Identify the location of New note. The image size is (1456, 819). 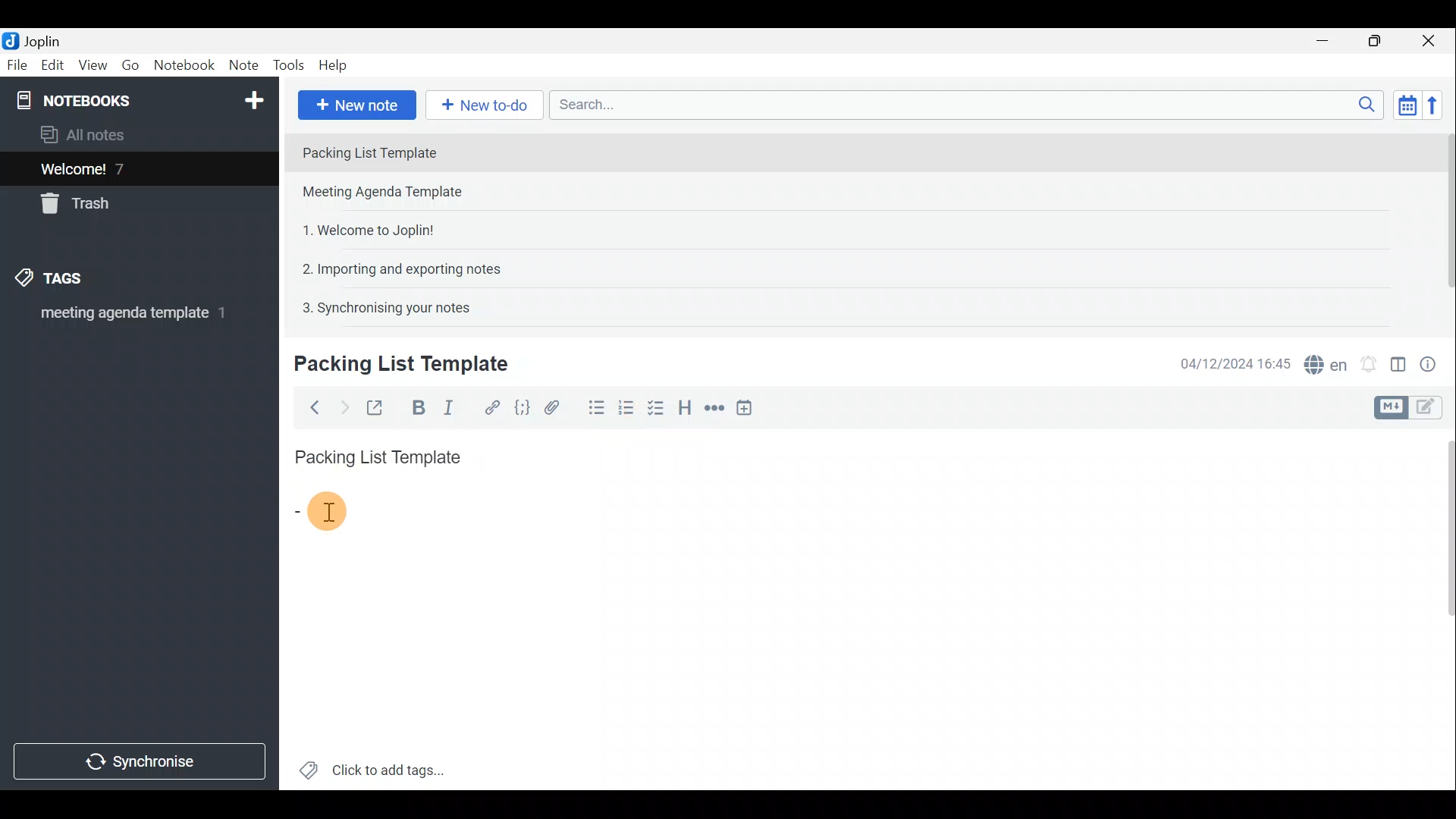
(356, 103).